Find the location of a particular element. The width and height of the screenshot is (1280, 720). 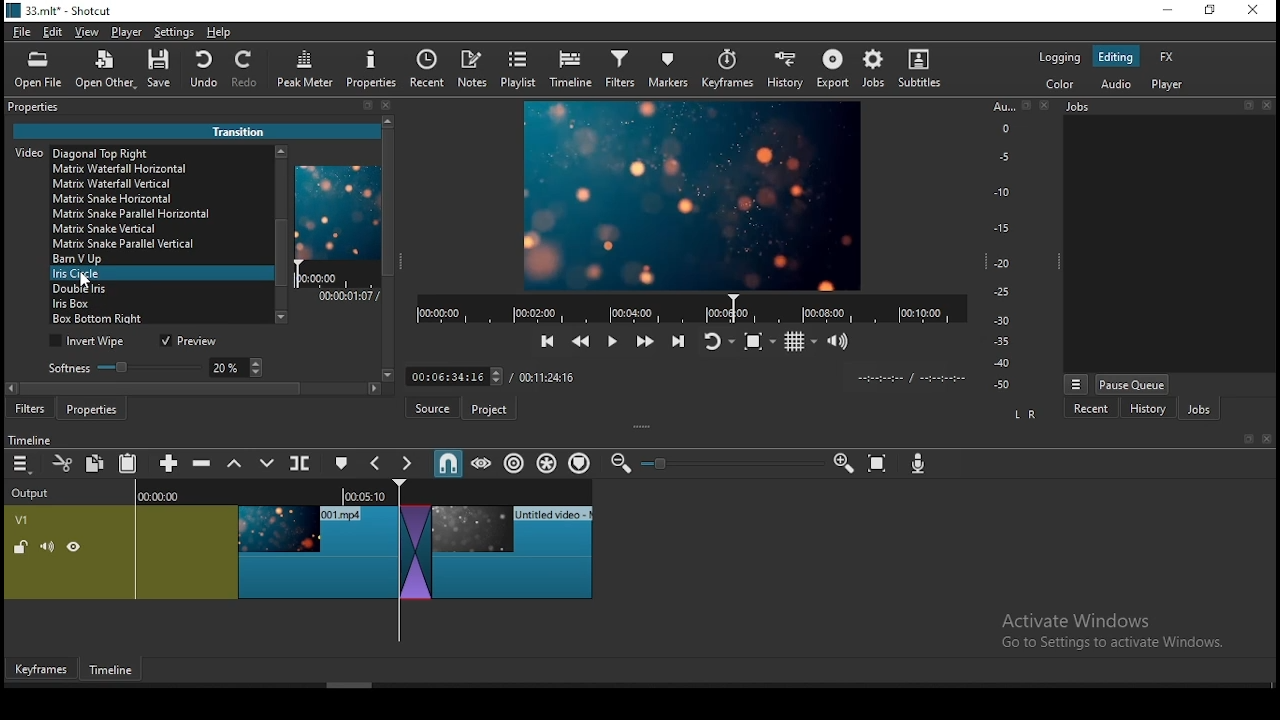

player is located at coordinates (127, 33).